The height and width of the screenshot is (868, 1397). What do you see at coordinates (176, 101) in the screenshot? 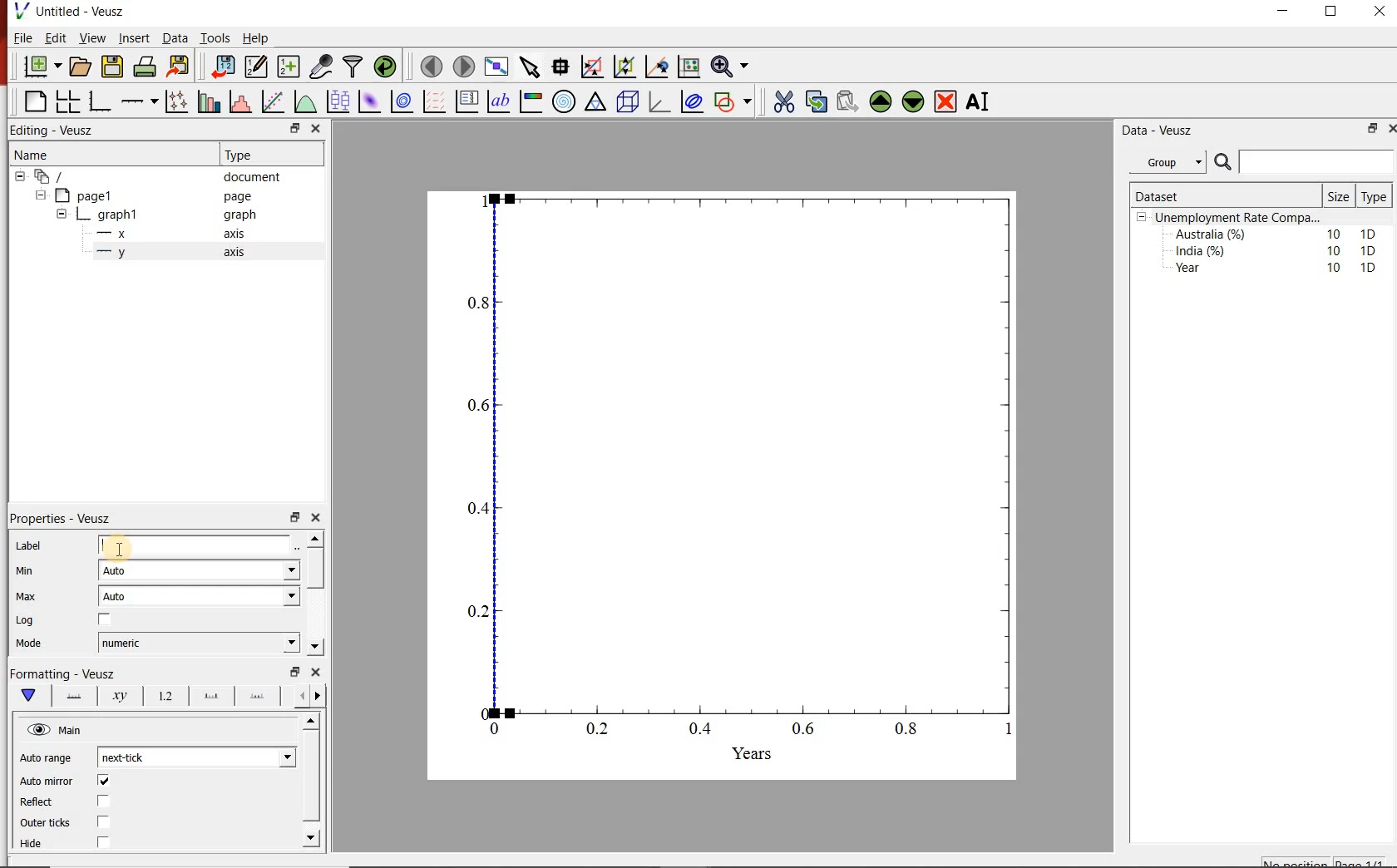
I see `plot points with lines and errorbars` at bounding box center [176, 101].